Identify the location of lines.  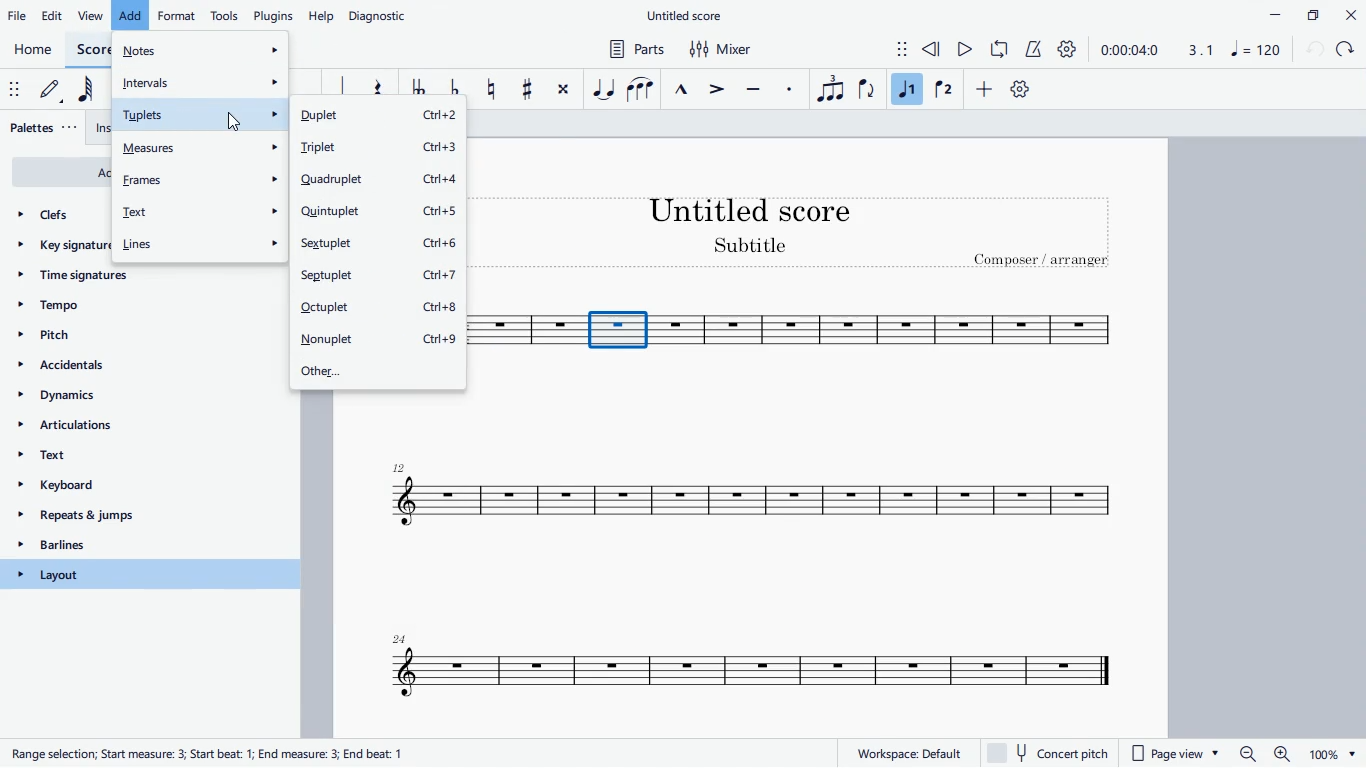
(199, 243).